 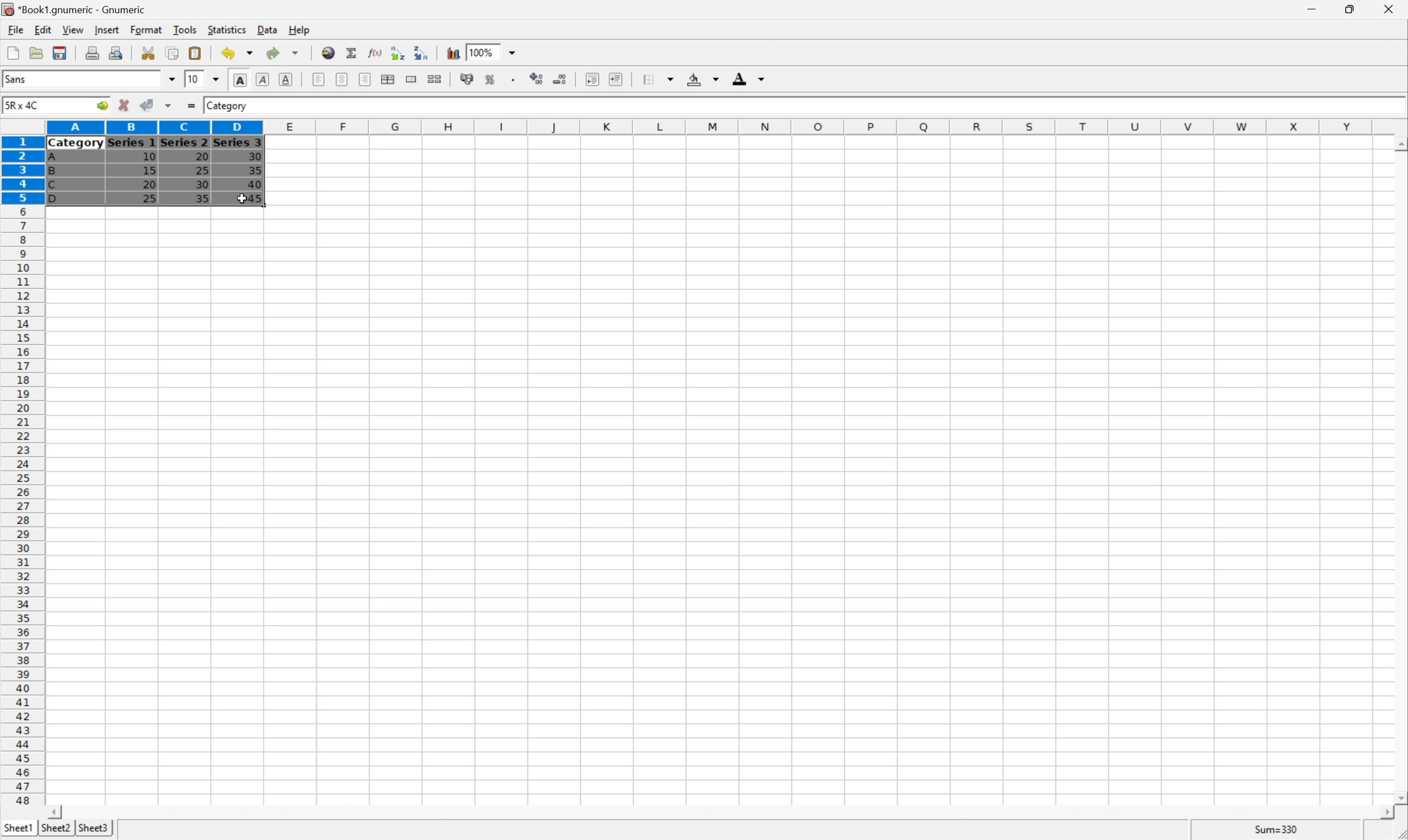 What do you see at coordinates (185, 29) in the screenshot?
I see `Tools` at bounding box center [185, 29].